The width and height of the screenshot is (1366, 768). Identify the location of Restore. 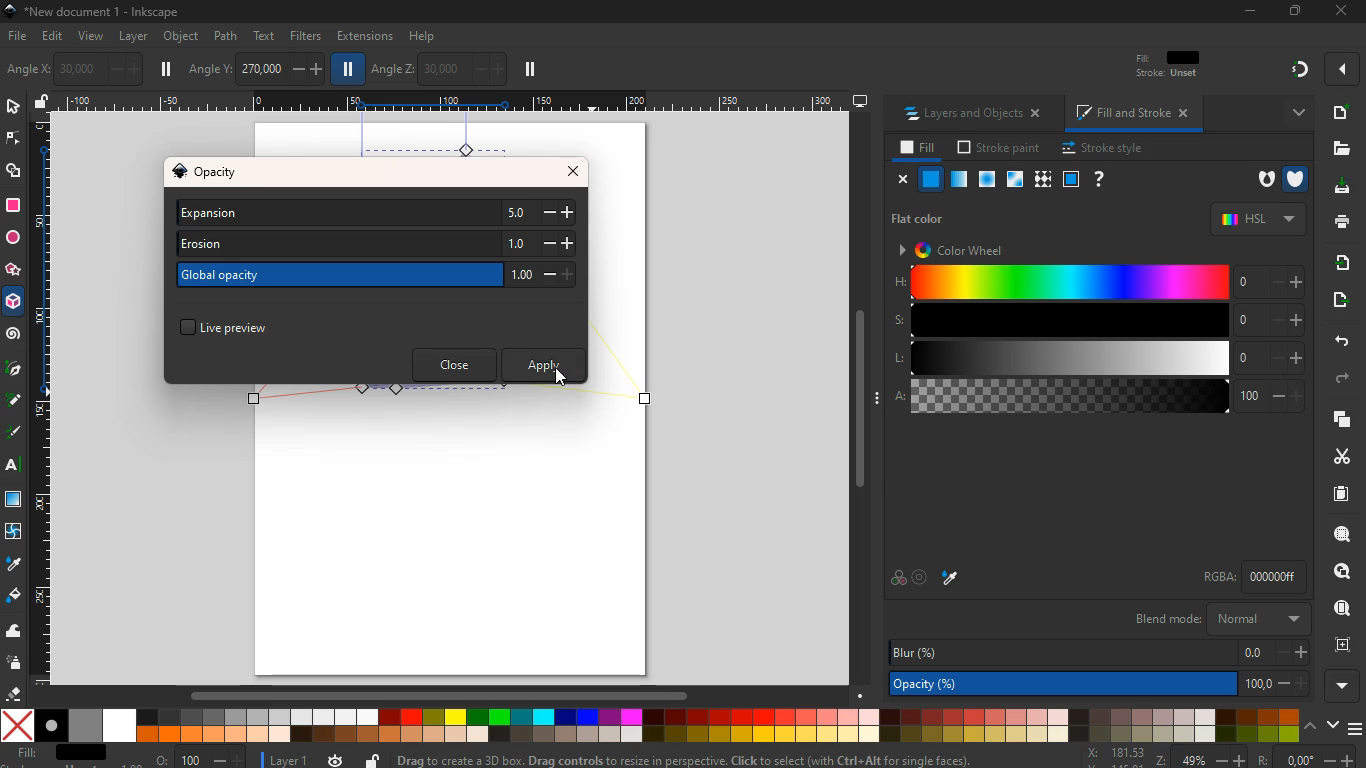
(1293, 12).